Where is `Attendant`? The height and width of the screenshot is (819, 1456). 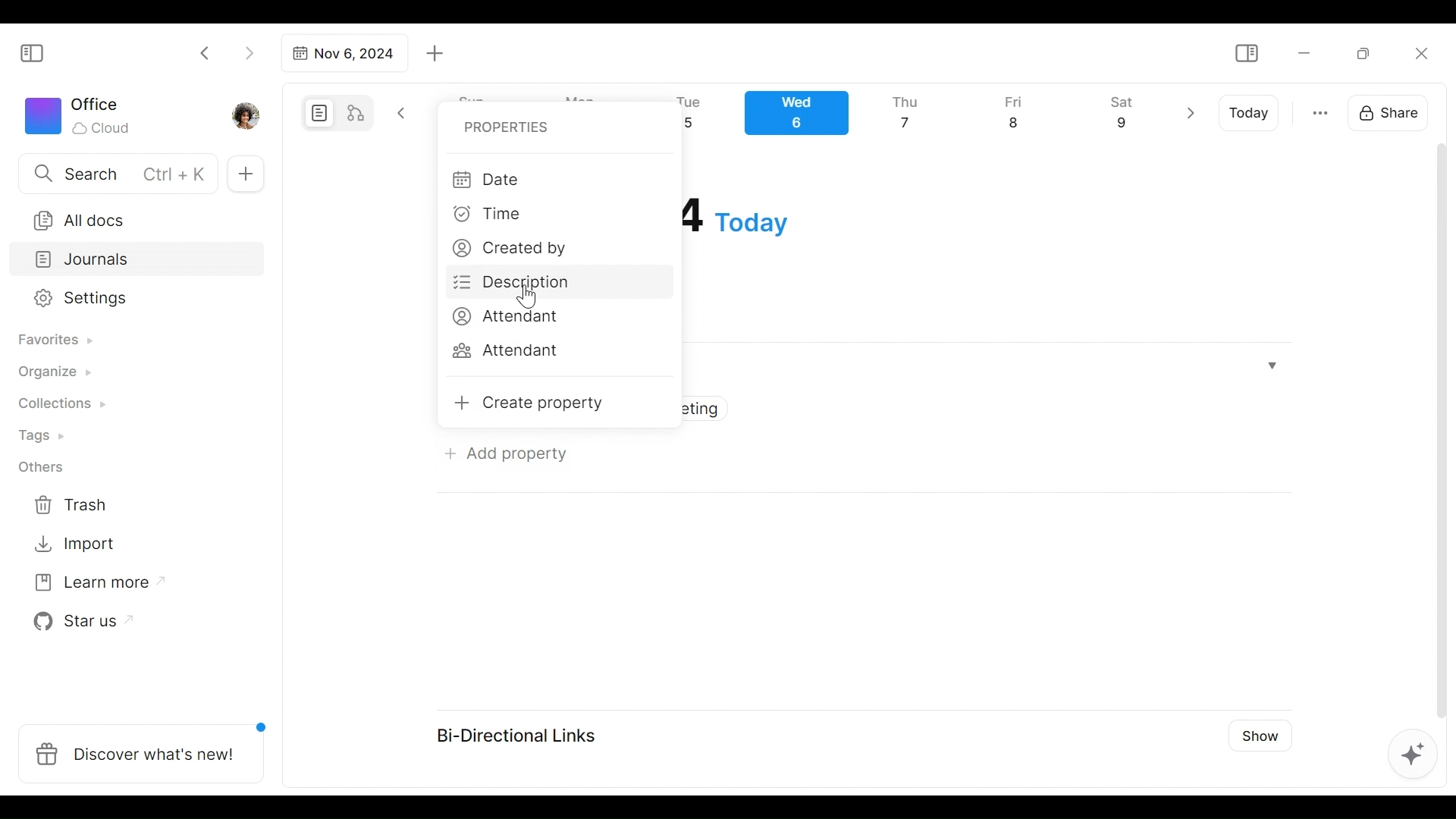 Attendant is located at coordinates (506, 352).